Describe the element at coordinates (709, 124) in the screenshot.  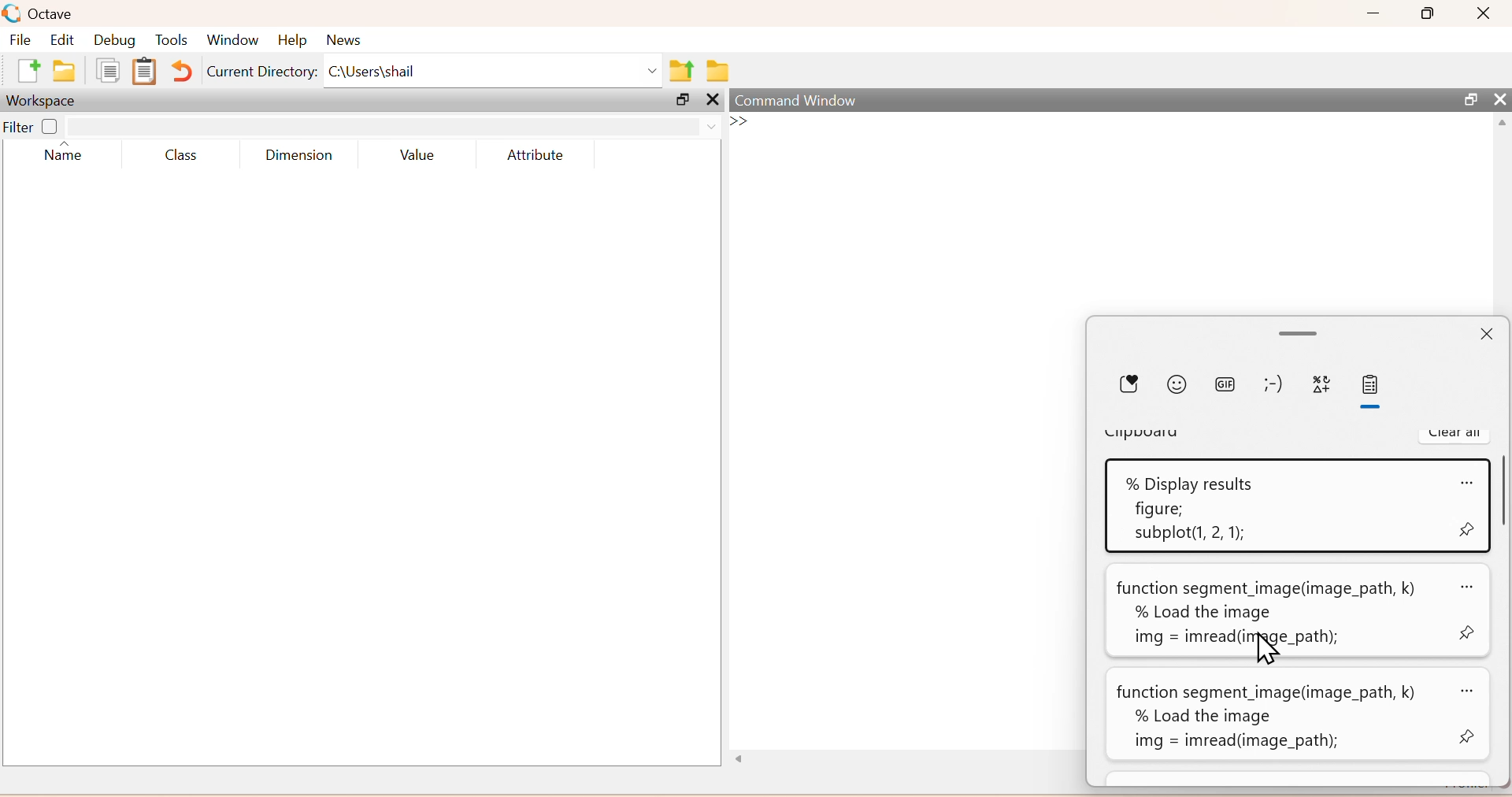
I see `drop down` at that location.